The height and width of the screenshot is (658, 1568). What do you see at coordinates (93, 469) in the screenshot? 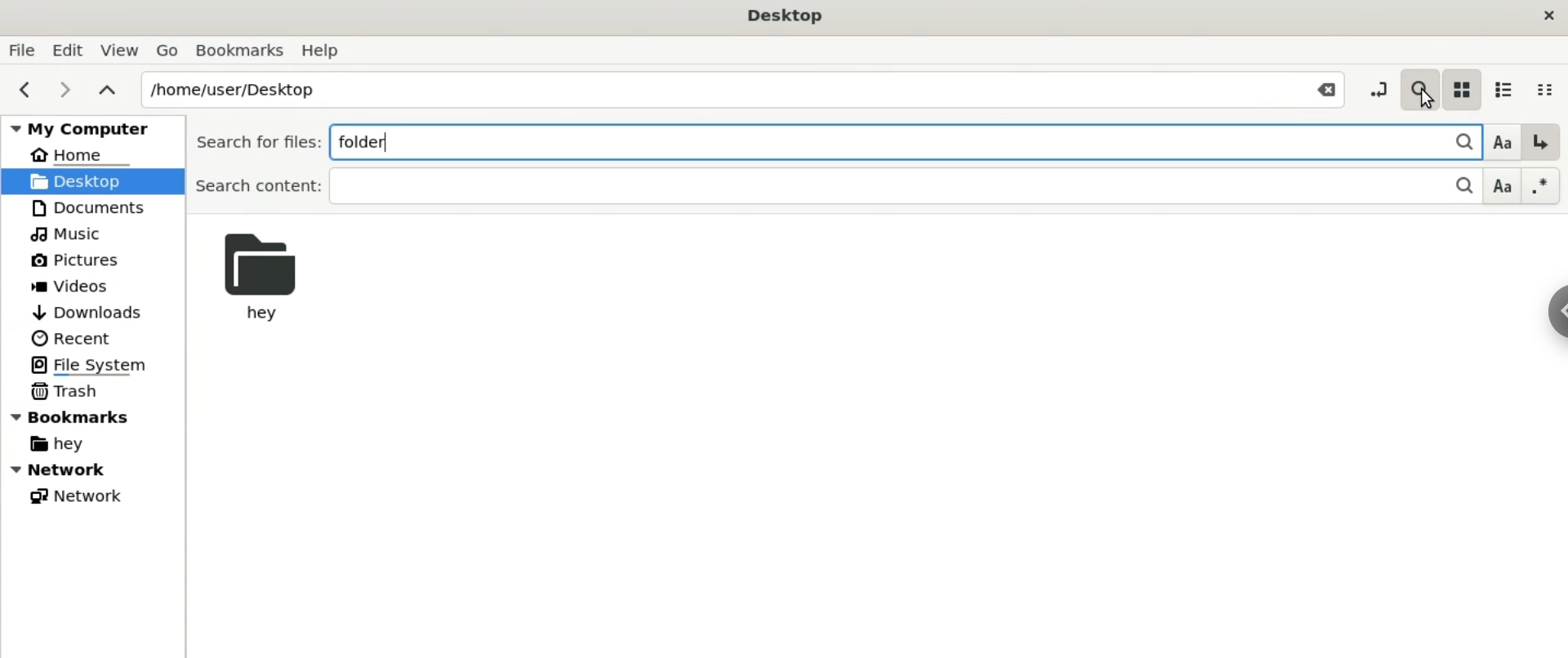
I see `Network` at bounding box center [93, 469].